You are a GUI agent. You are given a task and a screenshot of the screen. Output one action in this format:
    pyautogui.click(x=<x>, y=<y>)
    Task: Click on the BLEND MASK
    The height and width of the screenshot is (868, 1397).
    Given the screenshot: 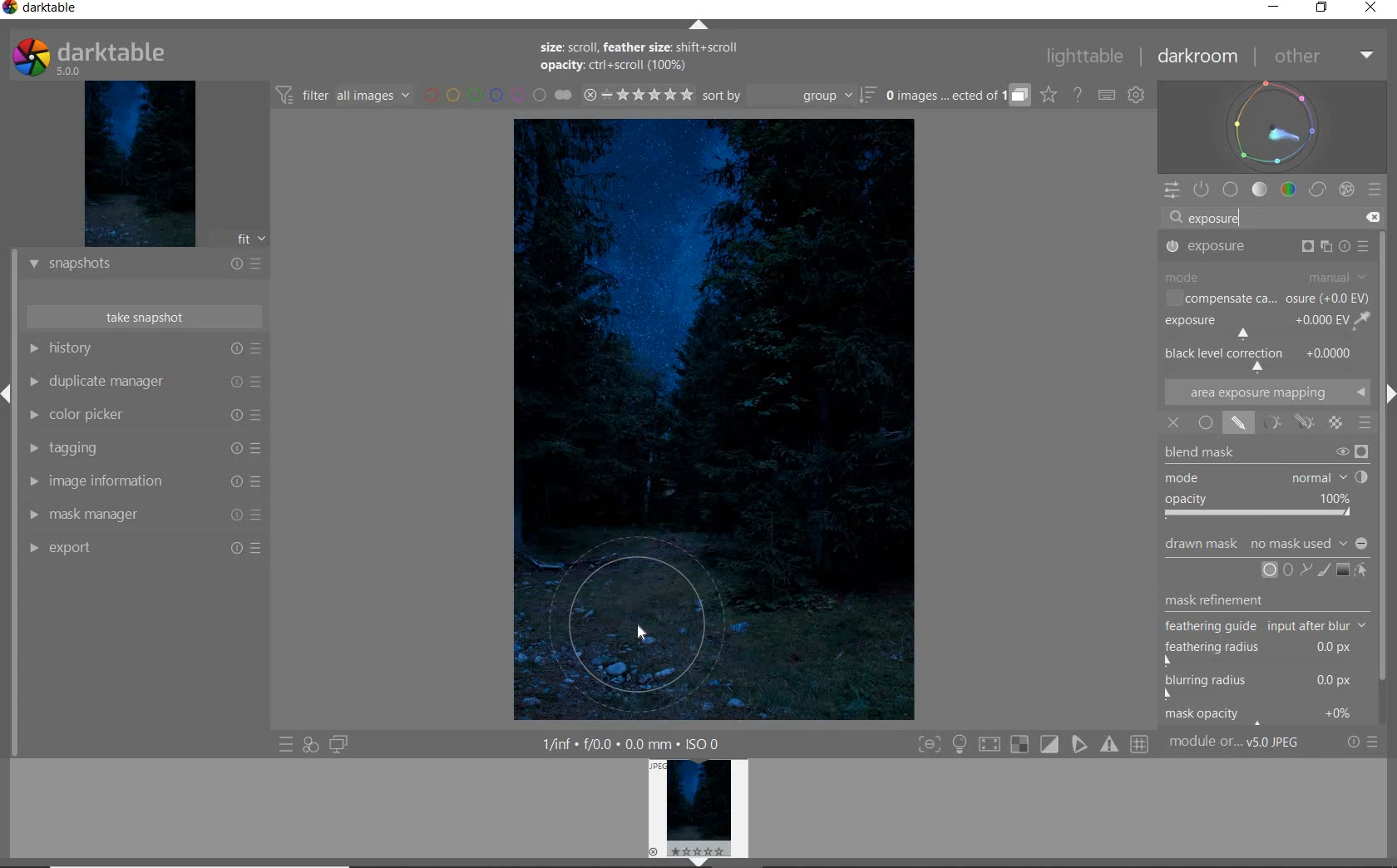 What is the action you would take?
    pyautogui.click(x=1268, y=481)
    